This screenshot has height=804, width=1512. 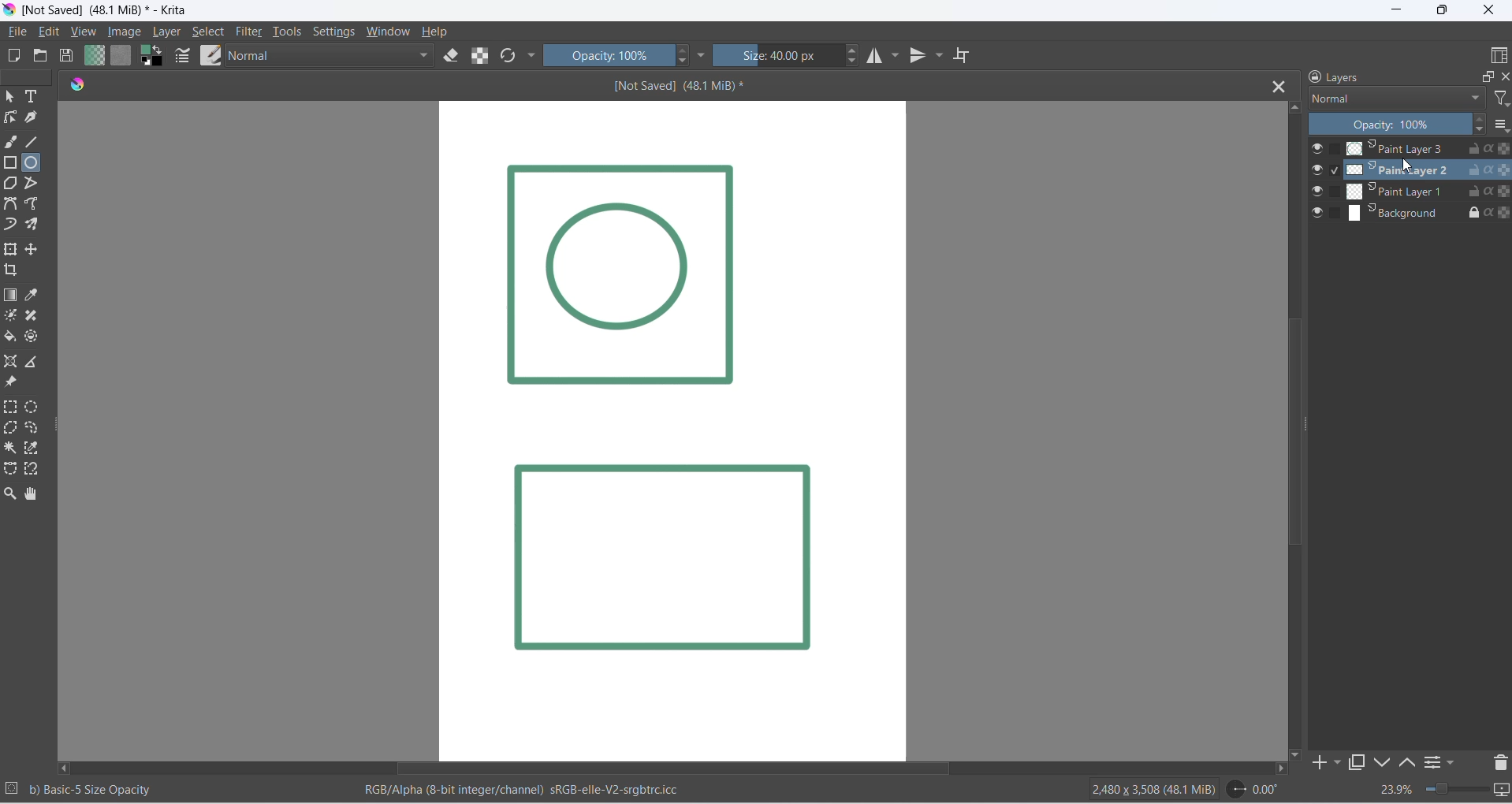 I want to click on visibilty, so click(x=1316, y=171).